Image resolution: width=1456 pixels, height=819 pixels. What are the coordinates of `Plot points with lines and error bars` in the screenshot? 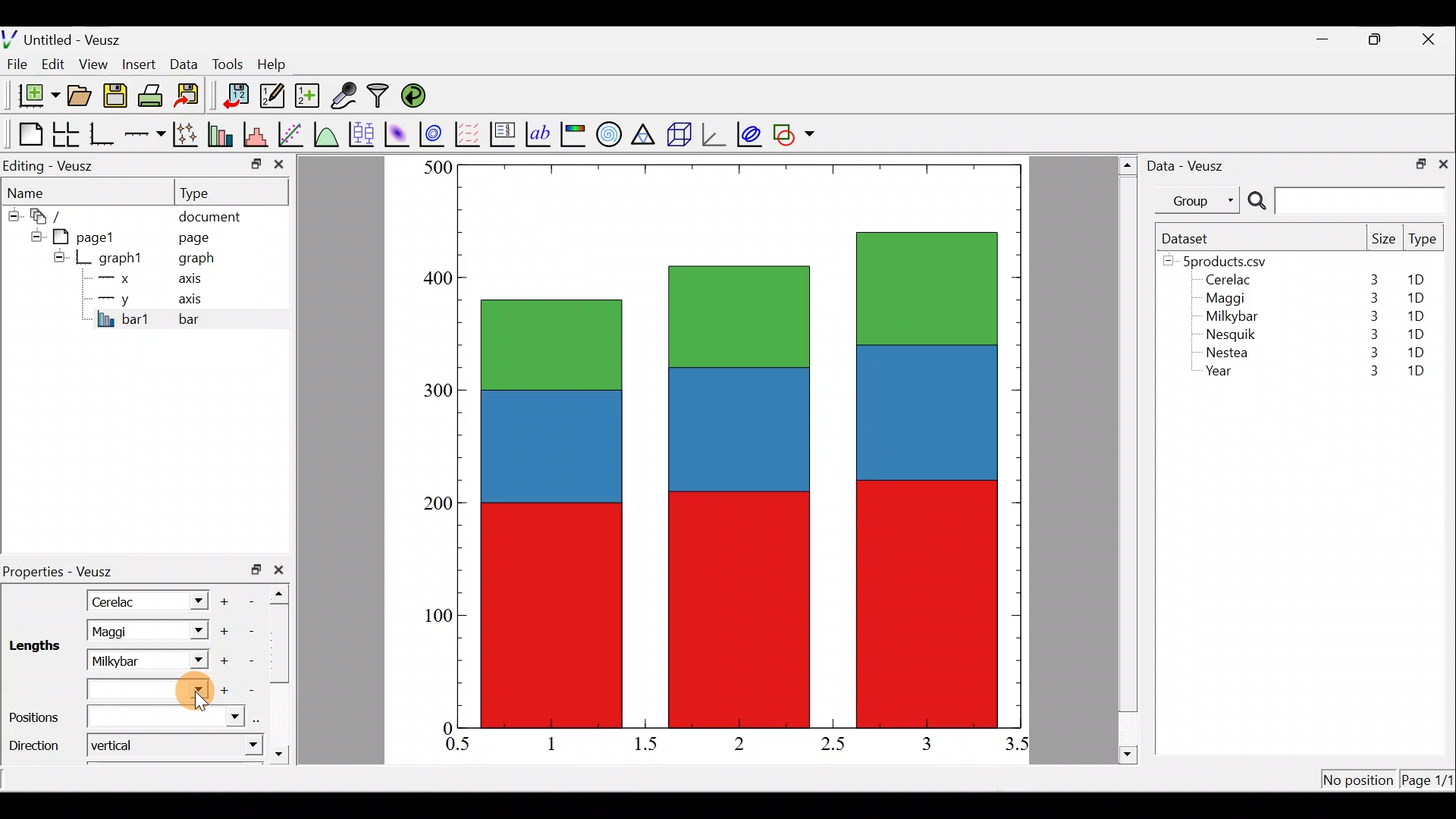 It's located at (188, 135).